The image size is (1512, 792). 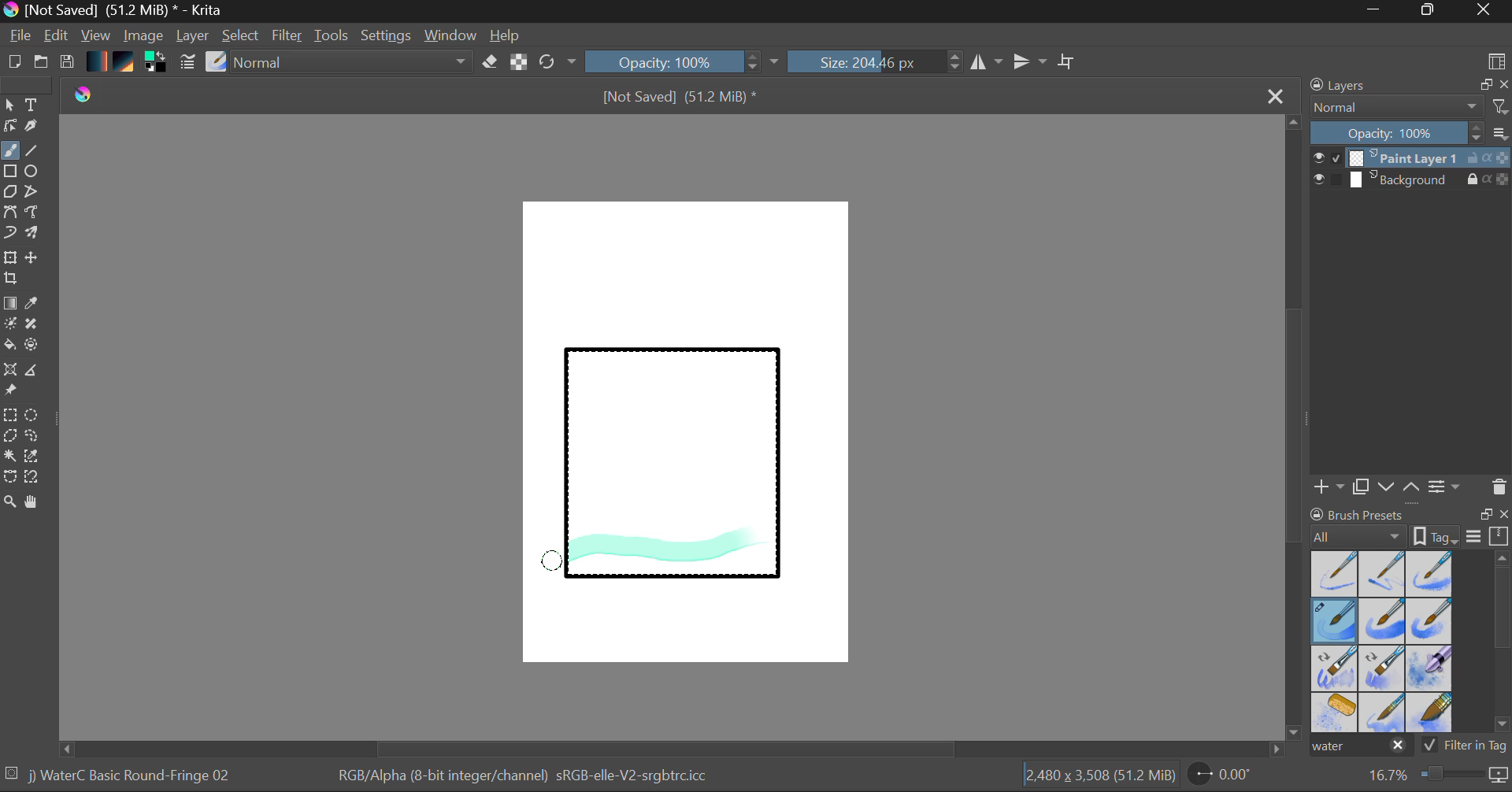 I want to click on Open, so click(x=43, y=64).